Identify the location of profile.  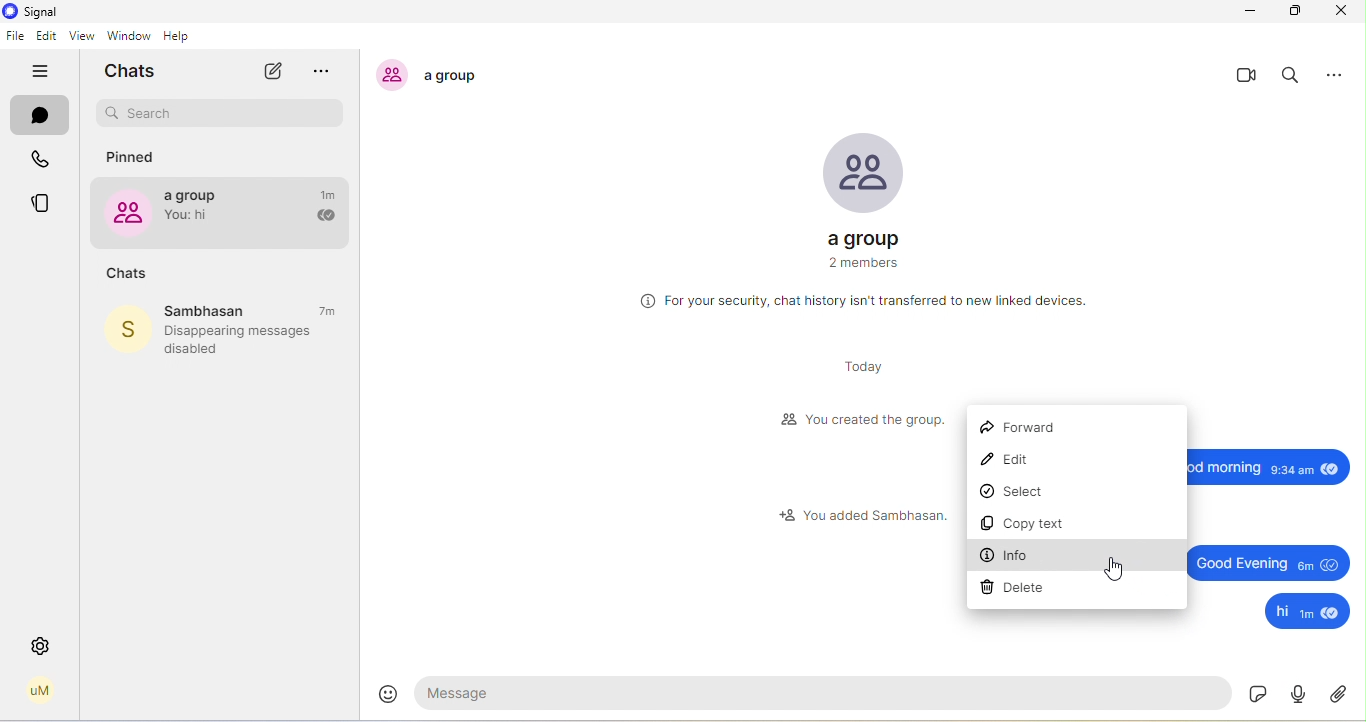
(40, 691).